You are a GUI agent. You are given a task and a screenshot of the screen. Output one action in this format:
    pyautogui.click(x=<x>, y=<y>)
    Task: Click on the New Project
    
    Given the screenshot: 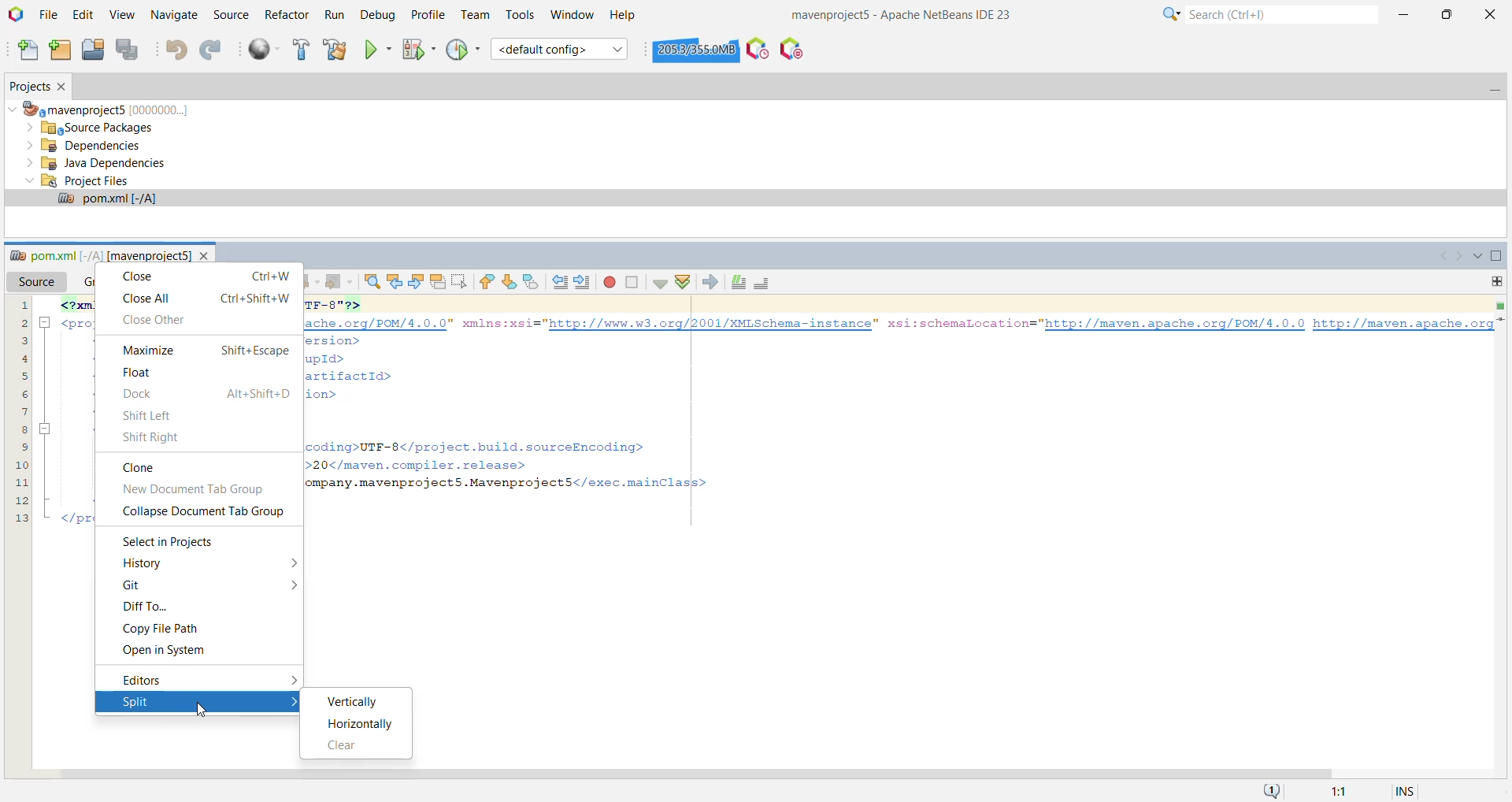 What is the action you would take?
    pyautogui.click(x=61, y=50)
    